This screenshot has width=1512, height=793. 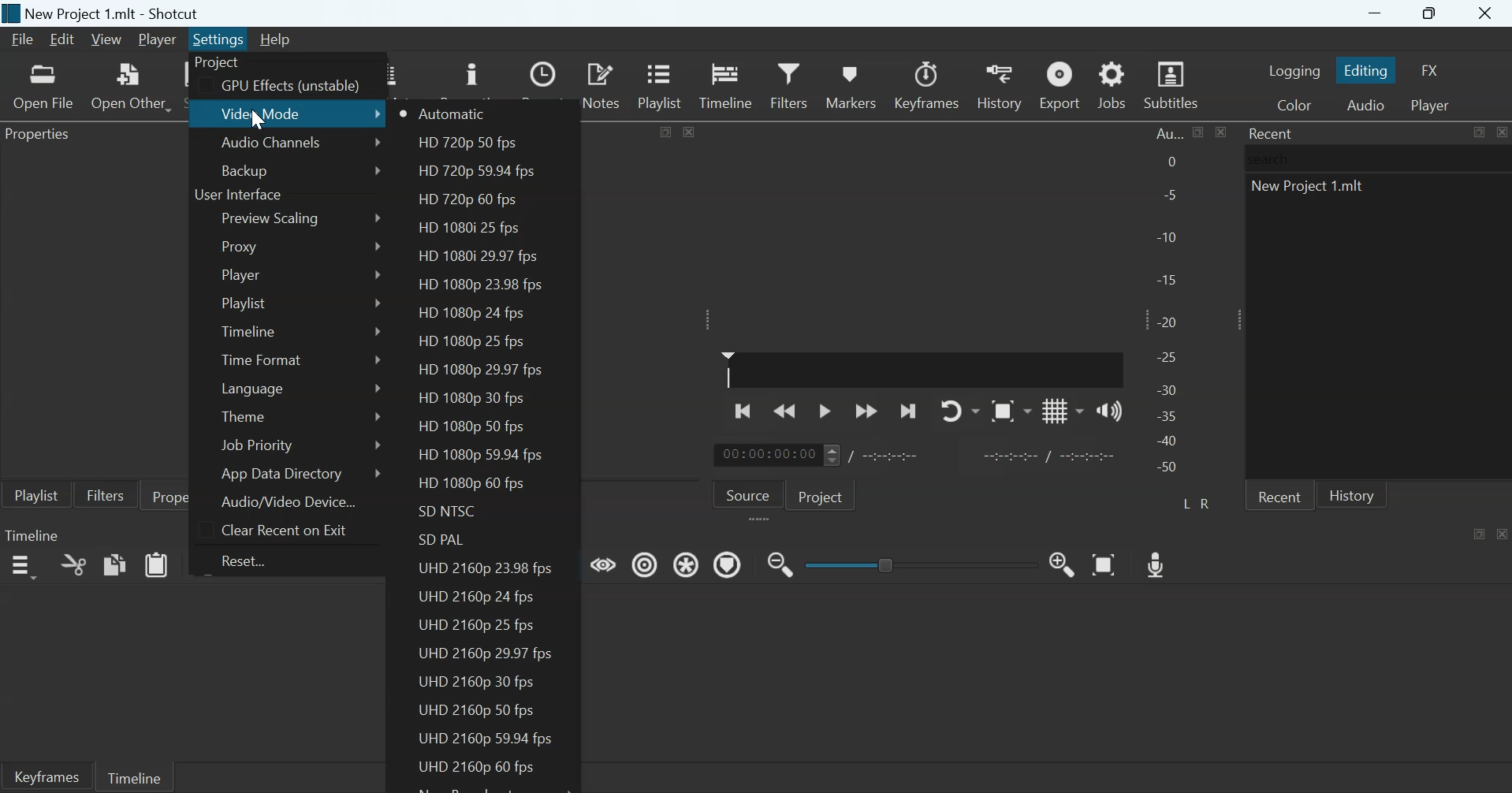 What do you see at coordinates (32, 534) in the screenshot?
I see `Timeline` at bounding box center [32, 534].